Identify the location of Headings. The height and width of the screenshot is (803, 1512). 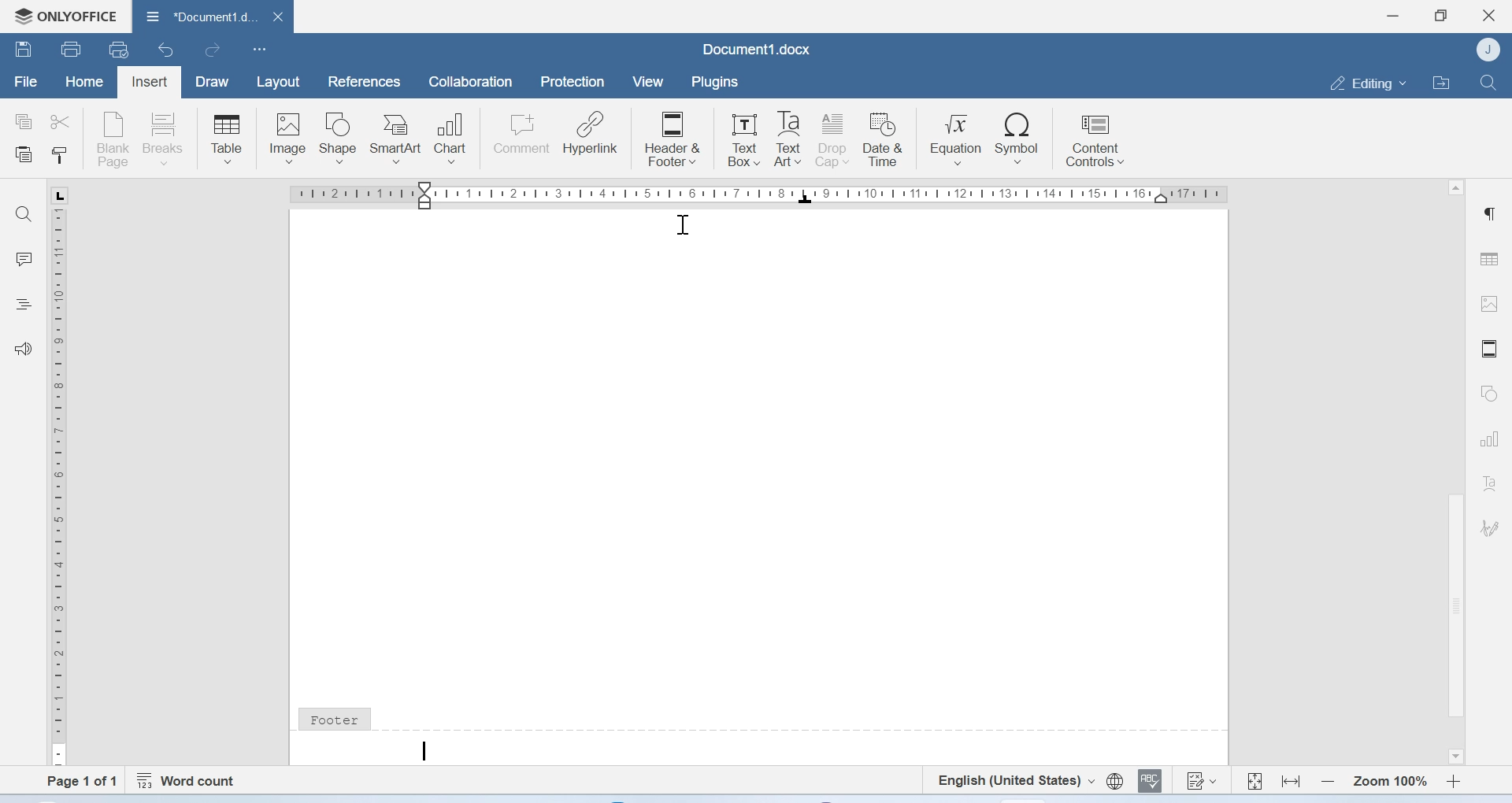
(26, 303).